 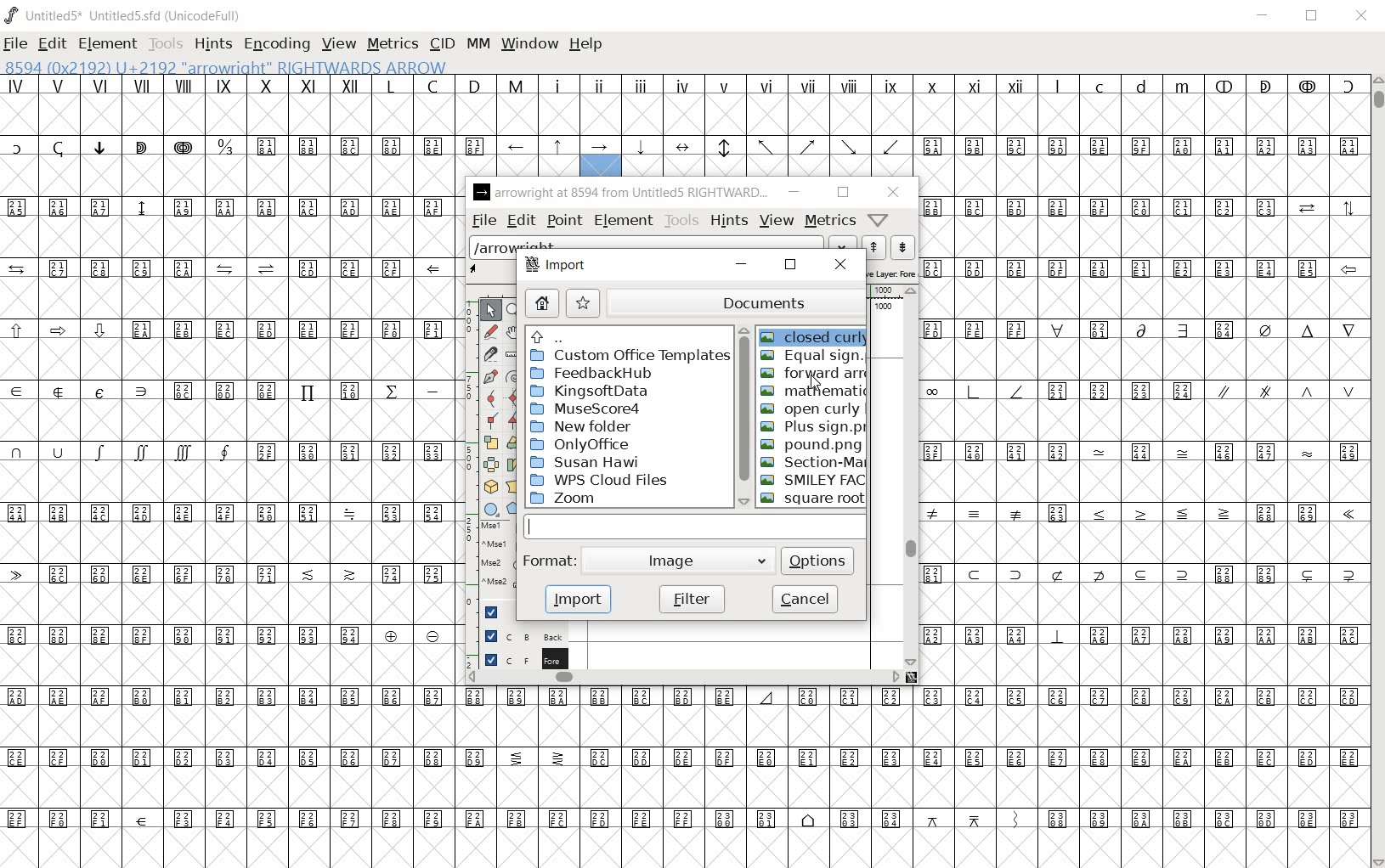 I want to click on HELP, so click(x=590, y=45).